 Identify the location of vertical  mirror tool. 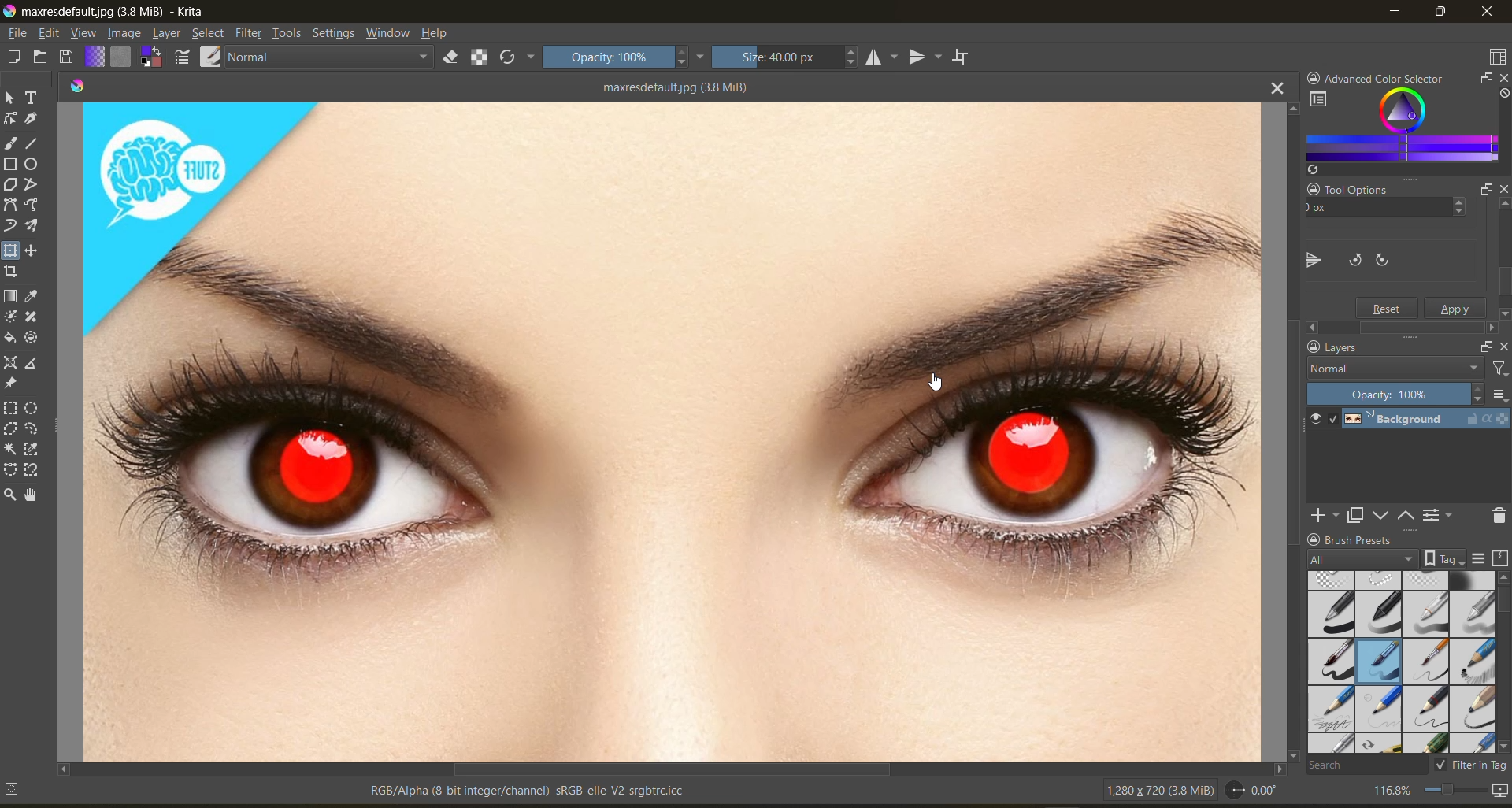
(927, 55).